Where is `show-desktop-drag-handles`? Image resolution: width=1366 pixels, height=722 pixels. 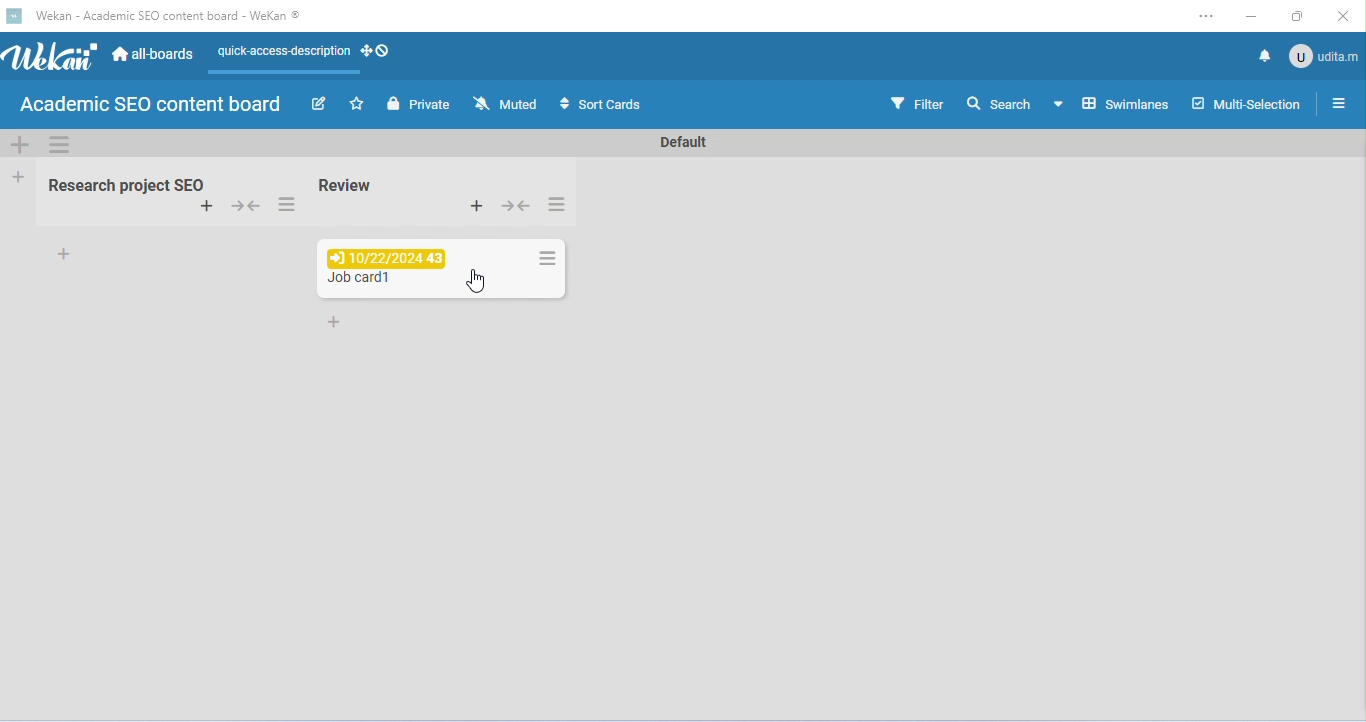 show-desktop-drag-handles is located at coordinates (377, 50).